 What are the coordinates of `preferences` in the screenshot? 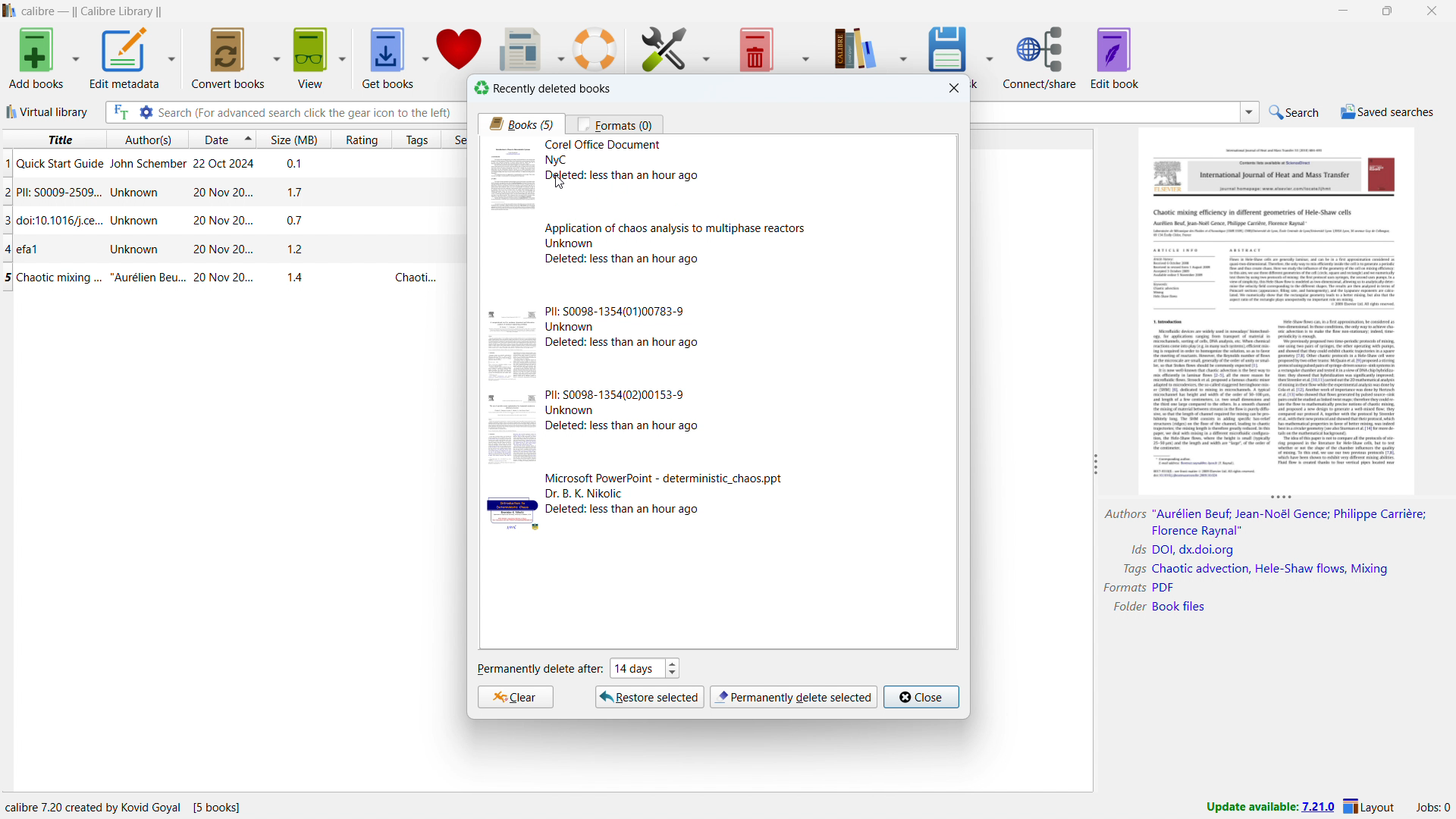 It's located at (665, 48).